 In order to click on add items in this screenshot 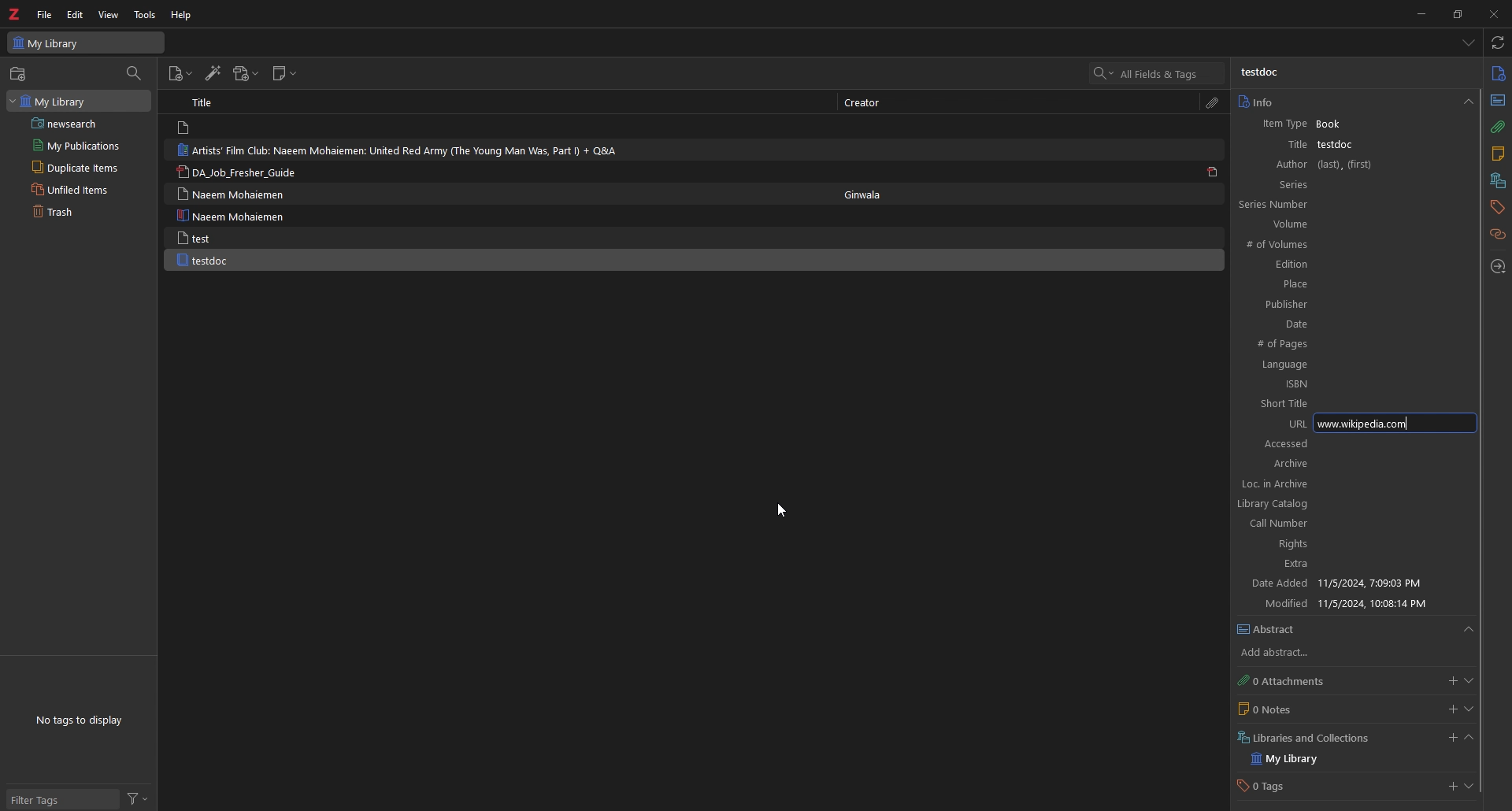, I will do `click(180, 73)`.